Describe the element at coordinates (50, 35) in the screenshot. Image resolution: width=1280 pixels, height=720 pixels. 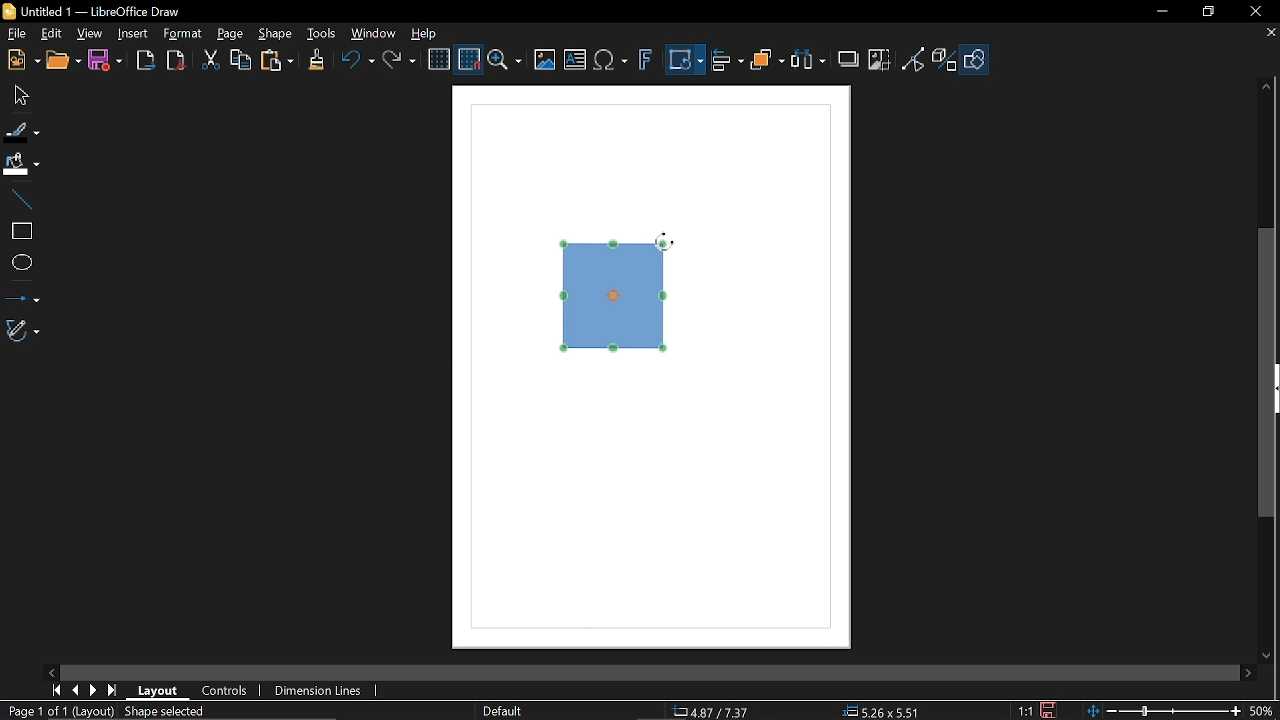
I see `Edit` at that location.